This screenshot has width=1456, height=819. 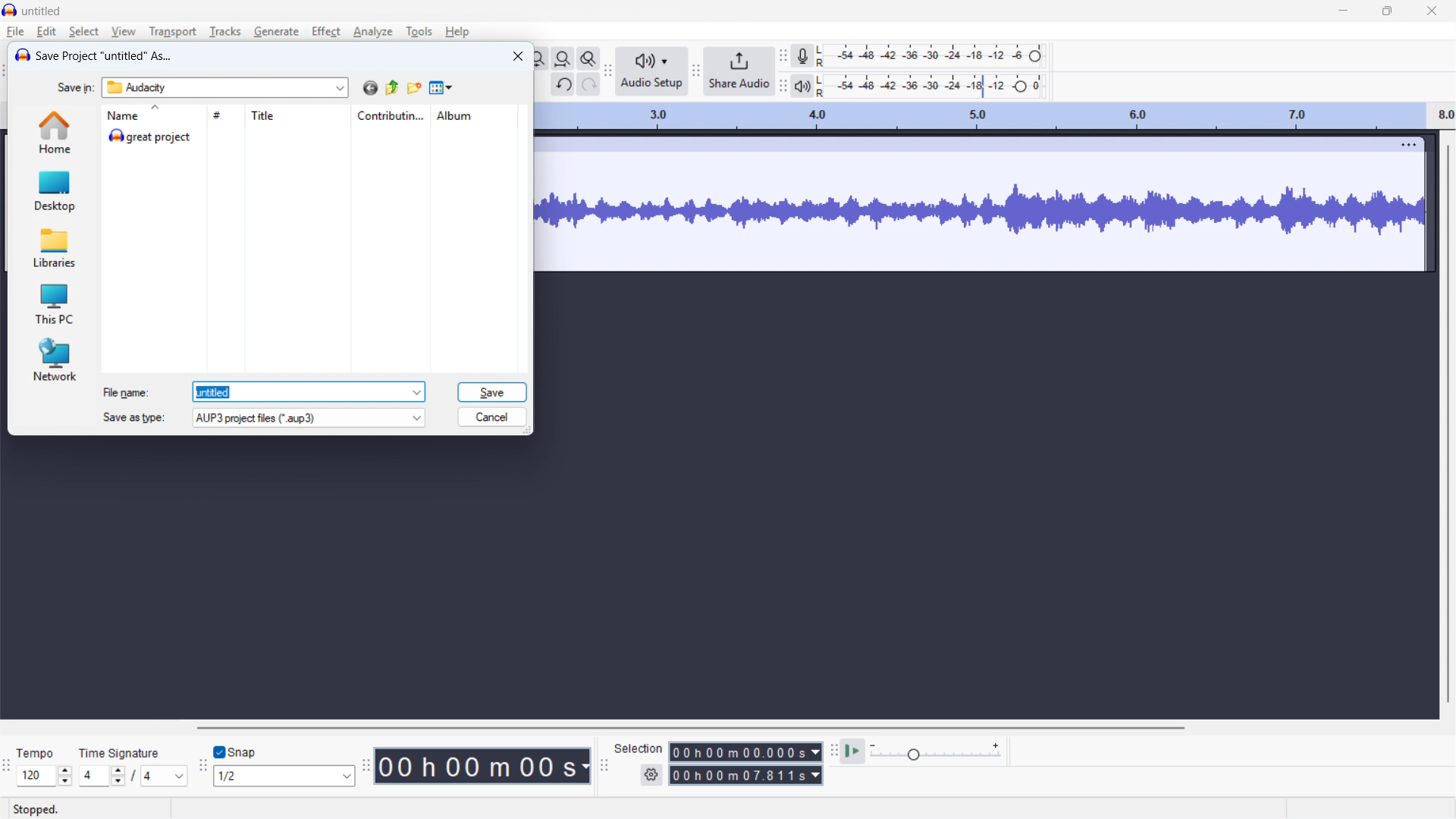 What do you see at coordinates (105, 56) in the screenshot?
I see `Save project "untitled" as` at bounding box center [105, 56].